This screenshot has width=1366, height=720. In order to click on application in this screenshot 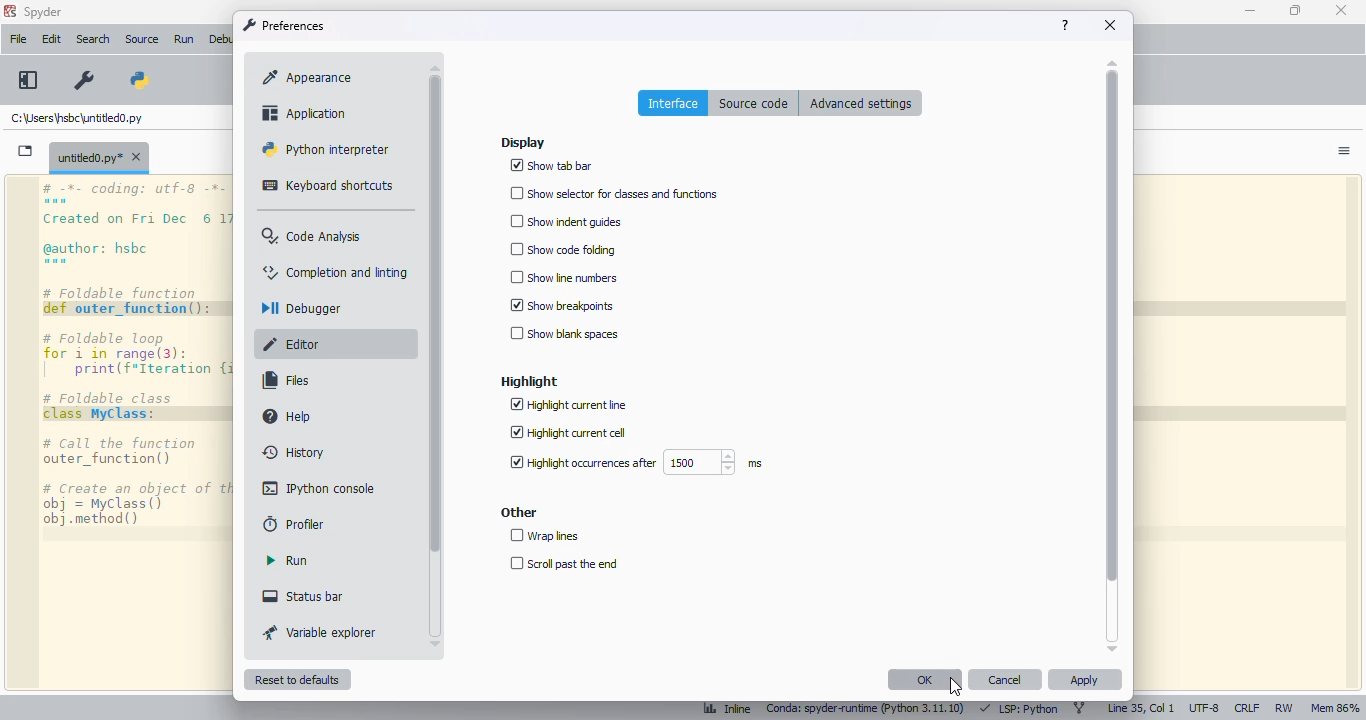, I will do `click(305, 113)`.